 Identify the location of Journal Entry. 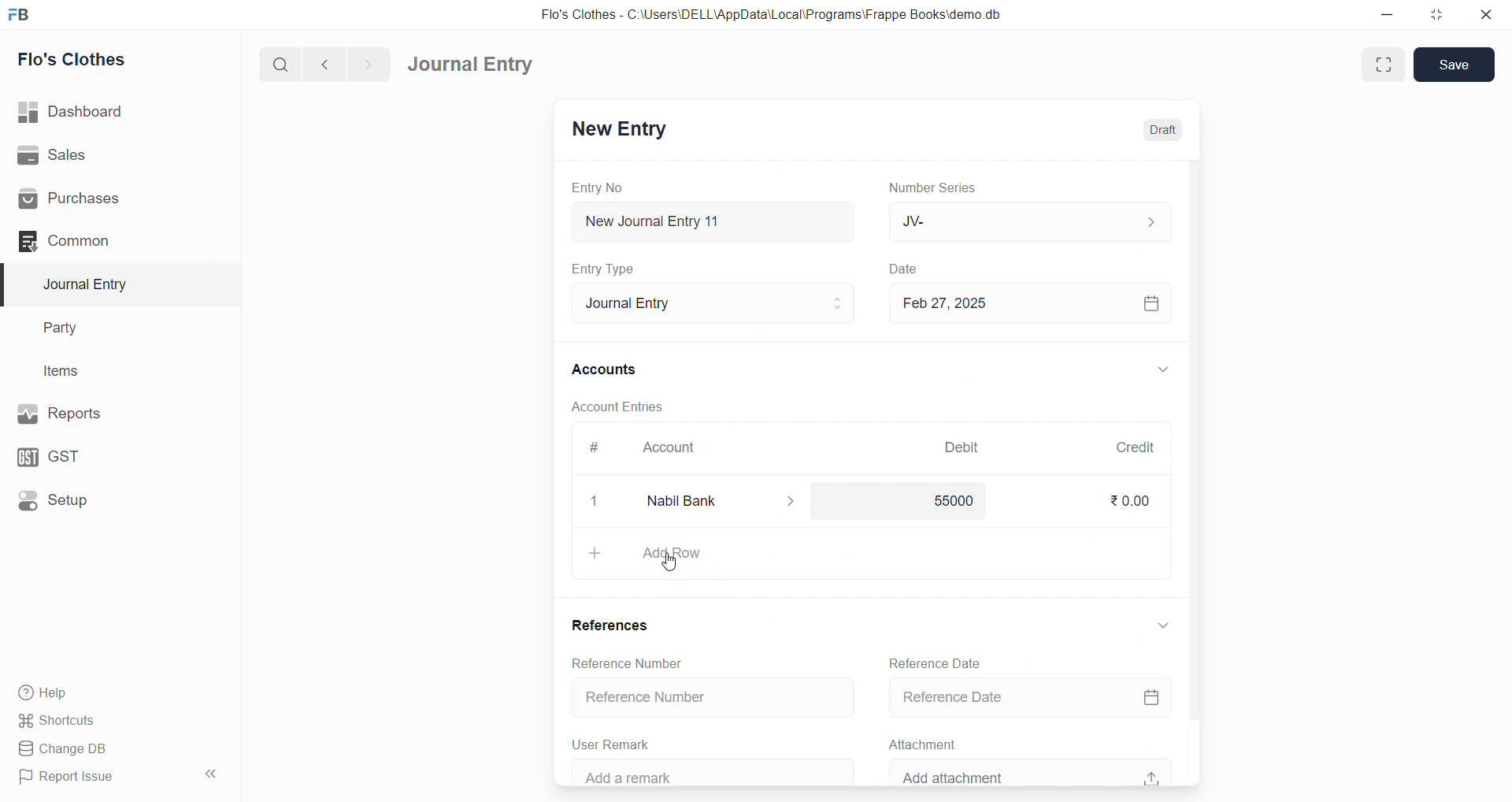
(90, 284).